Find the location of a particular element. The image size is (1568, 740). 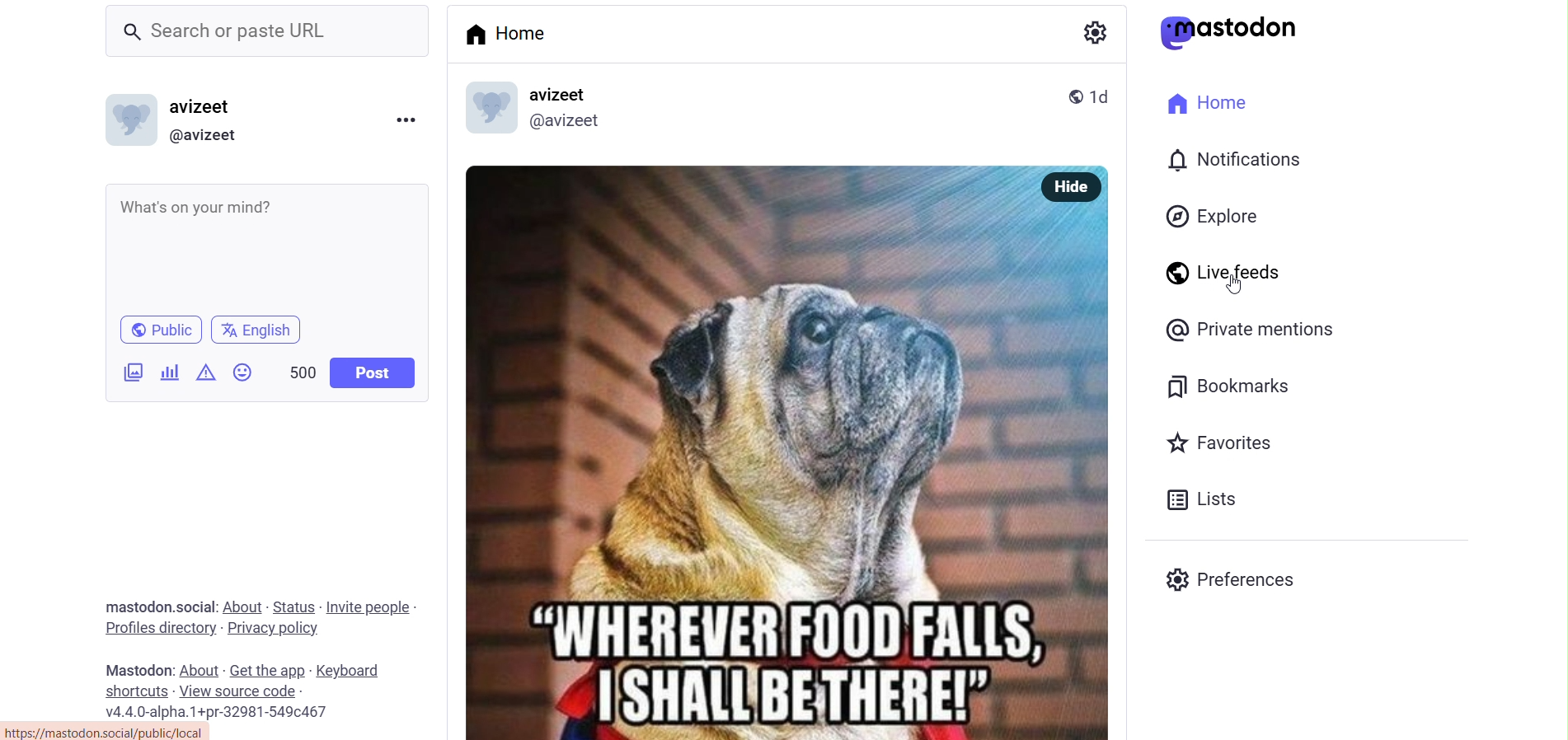

invite people is located at coordinates (367, 607).